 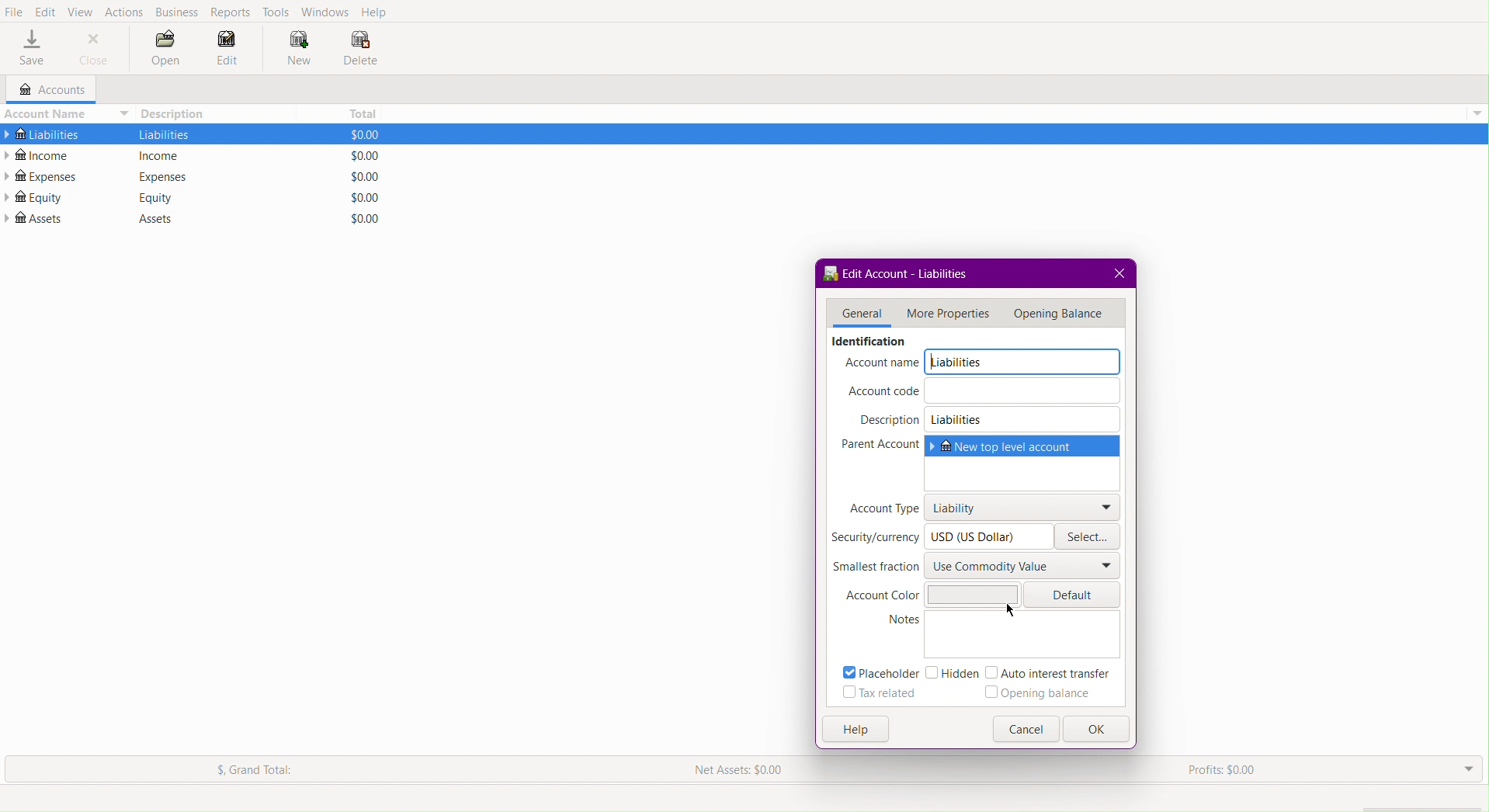 I want to click on Equity, so click(x=157, y=197).